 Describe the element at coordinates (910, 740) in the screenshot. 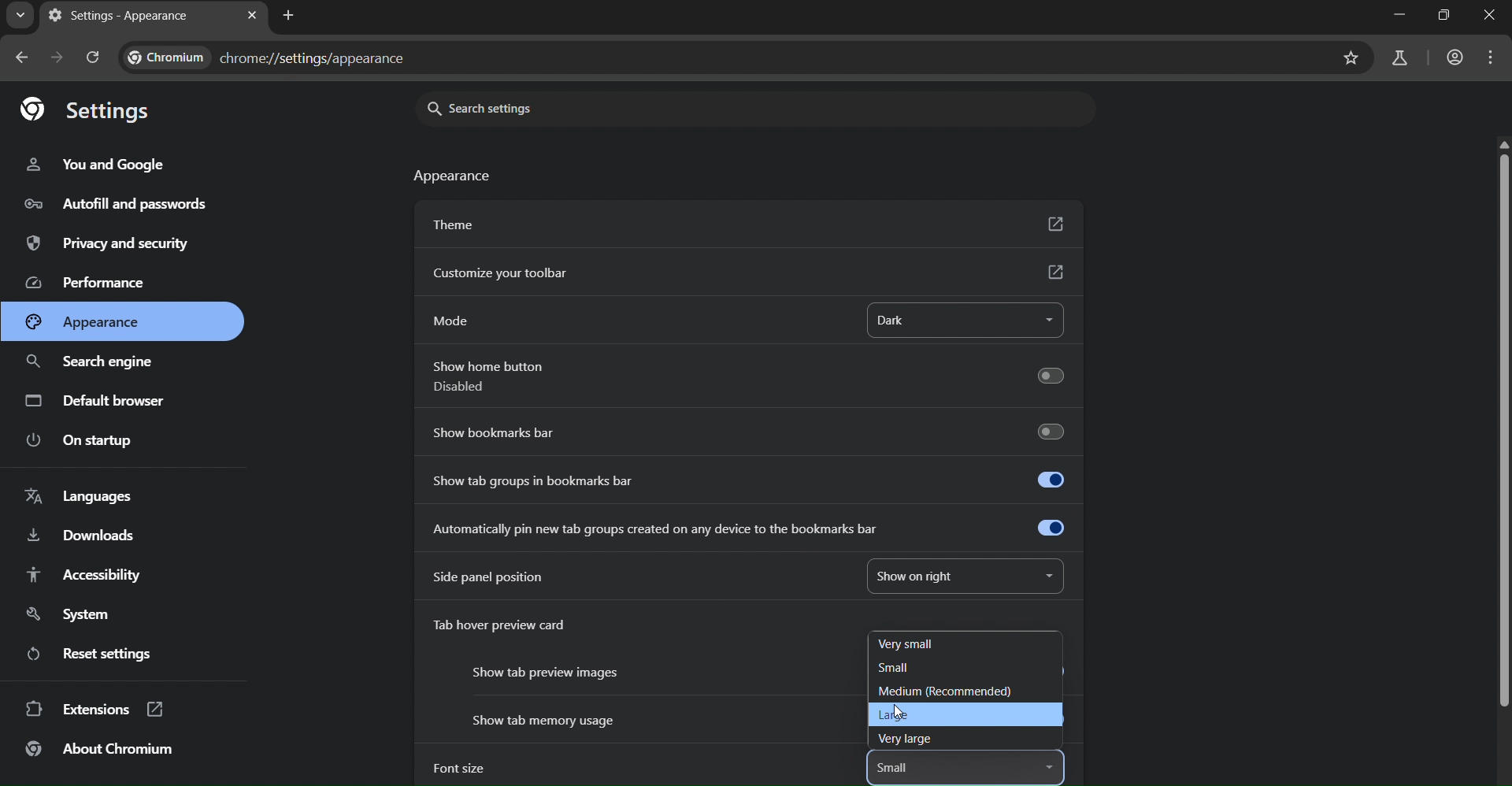

I see `very large` at that location.